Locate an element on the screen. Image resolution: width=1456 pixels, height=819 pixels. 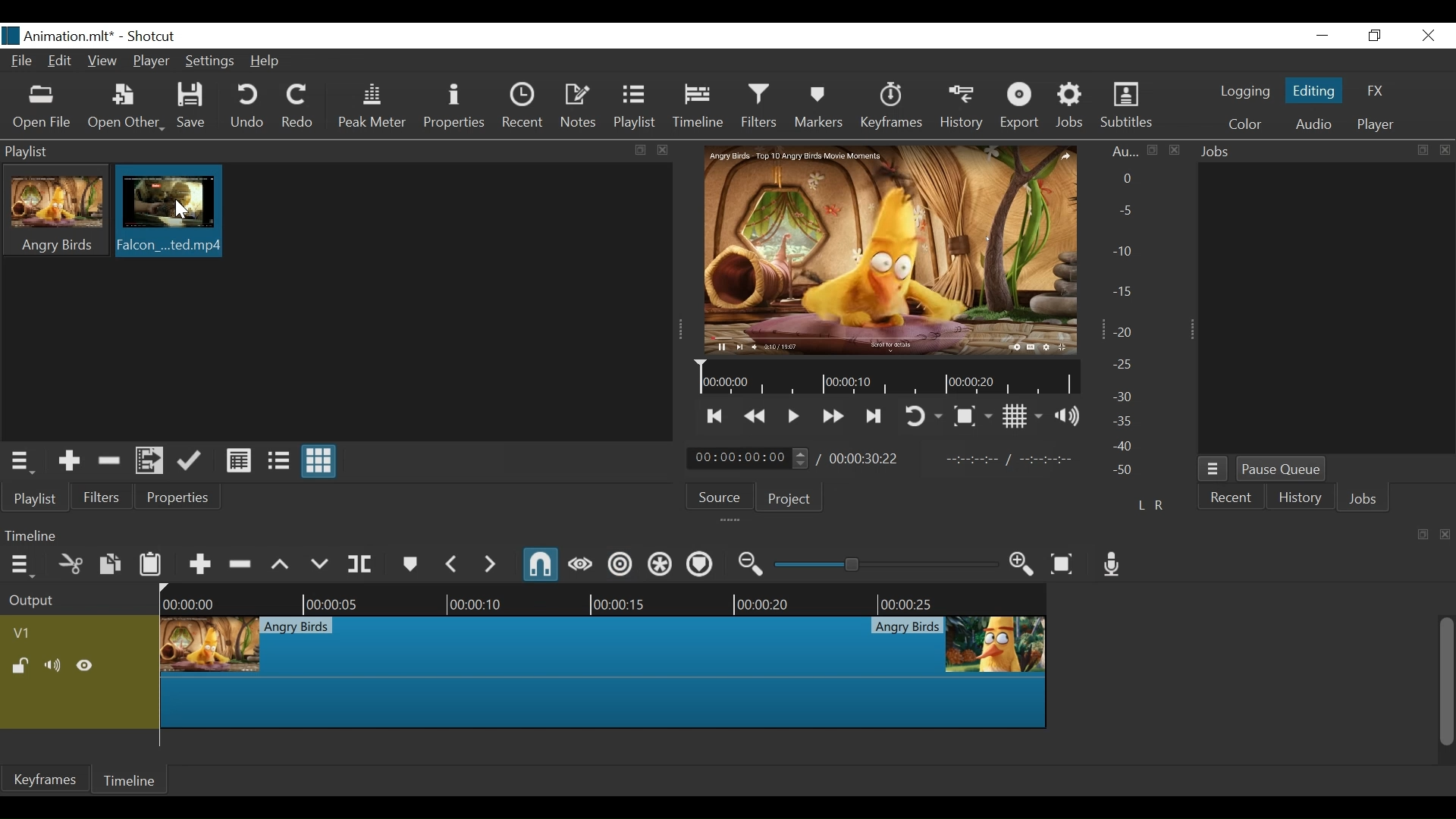
Track Header is located at coordinates (24, 633).